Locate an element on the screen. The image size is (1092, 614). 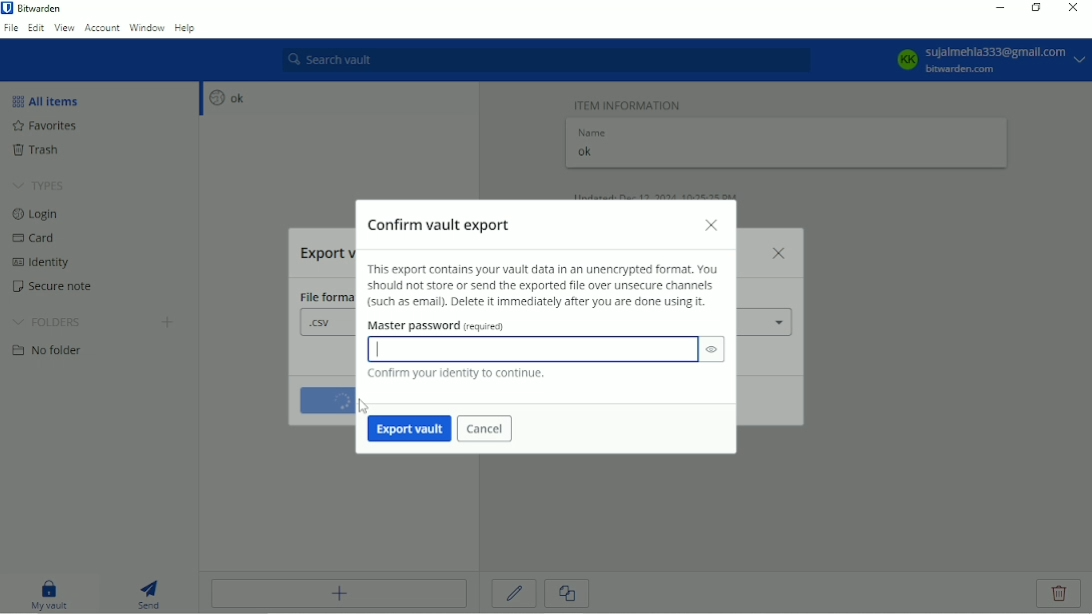
My vault is located at coordinates (49, 593).